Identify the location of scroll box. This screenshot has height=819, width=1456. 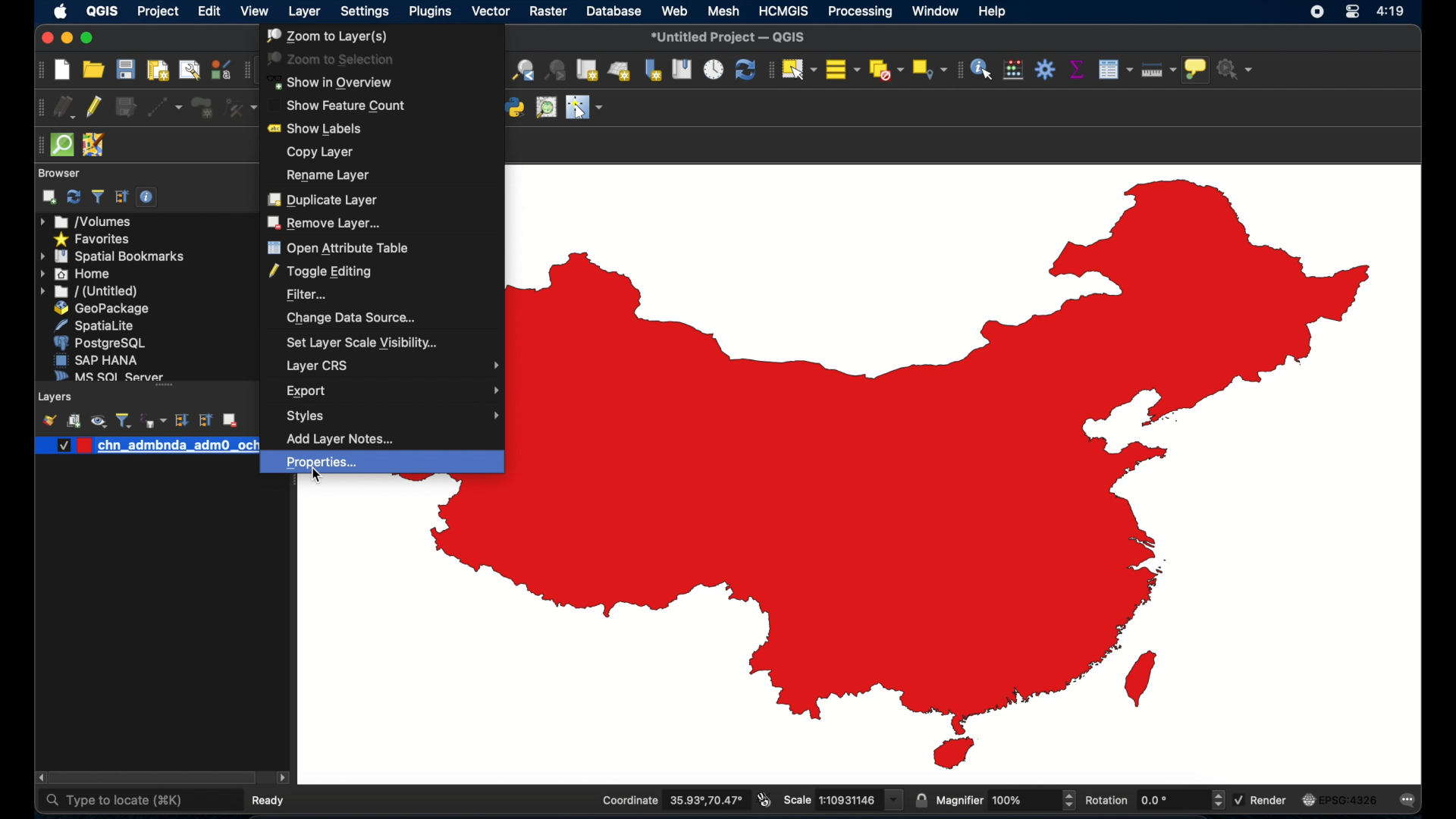
(154, 779).